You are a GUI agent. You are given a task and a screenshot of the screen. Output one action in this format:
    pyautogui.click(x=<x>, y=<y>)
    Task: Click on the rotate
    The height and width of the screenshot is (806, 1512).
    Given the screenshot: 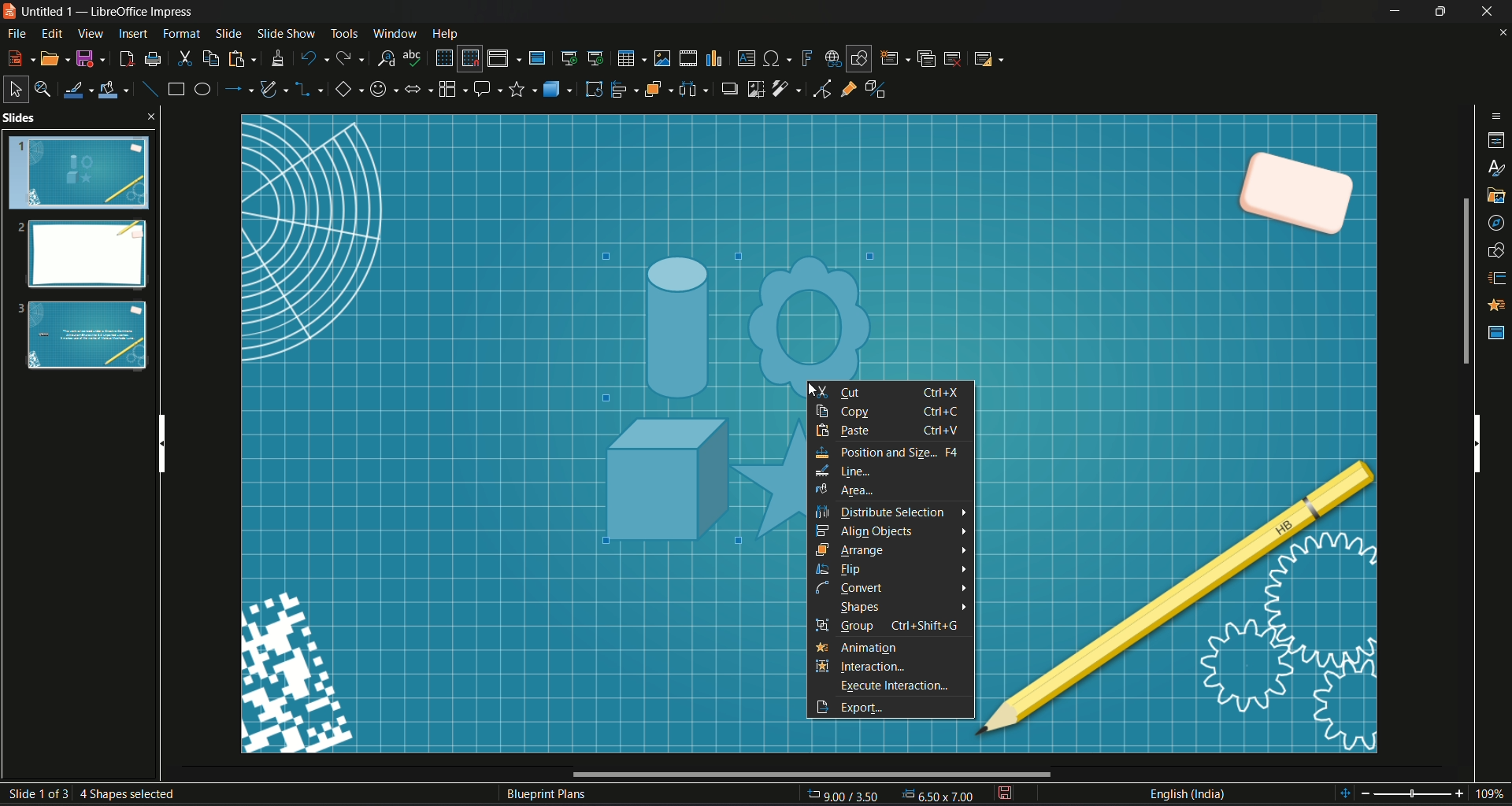 What is the action you would take?
    pyautogui.click(x=594, y=89)
    